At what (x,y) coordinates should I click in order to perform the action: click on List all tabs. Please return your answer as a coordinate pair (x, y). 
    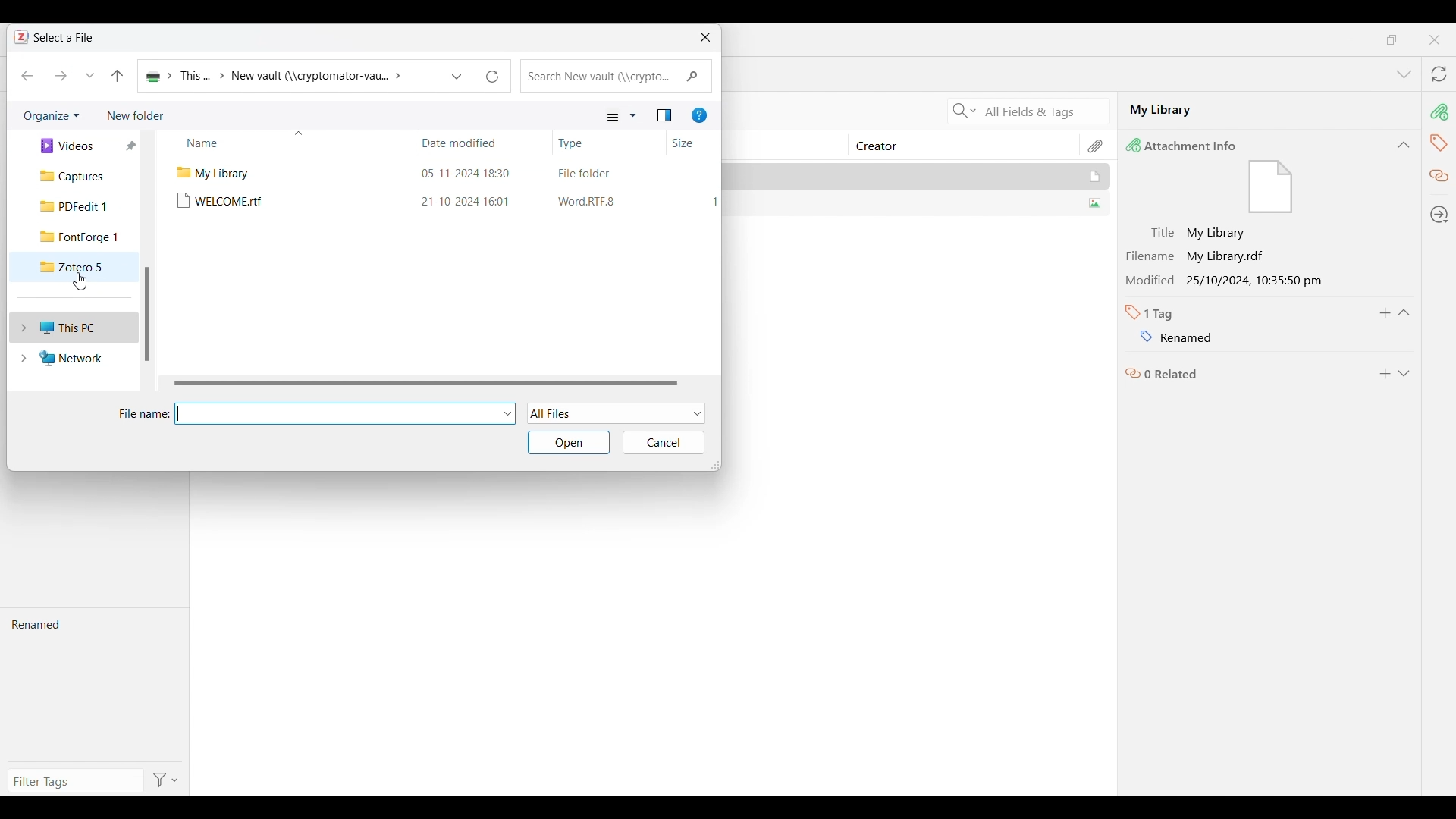
    Looking at the image, I should click on (1404, 74).